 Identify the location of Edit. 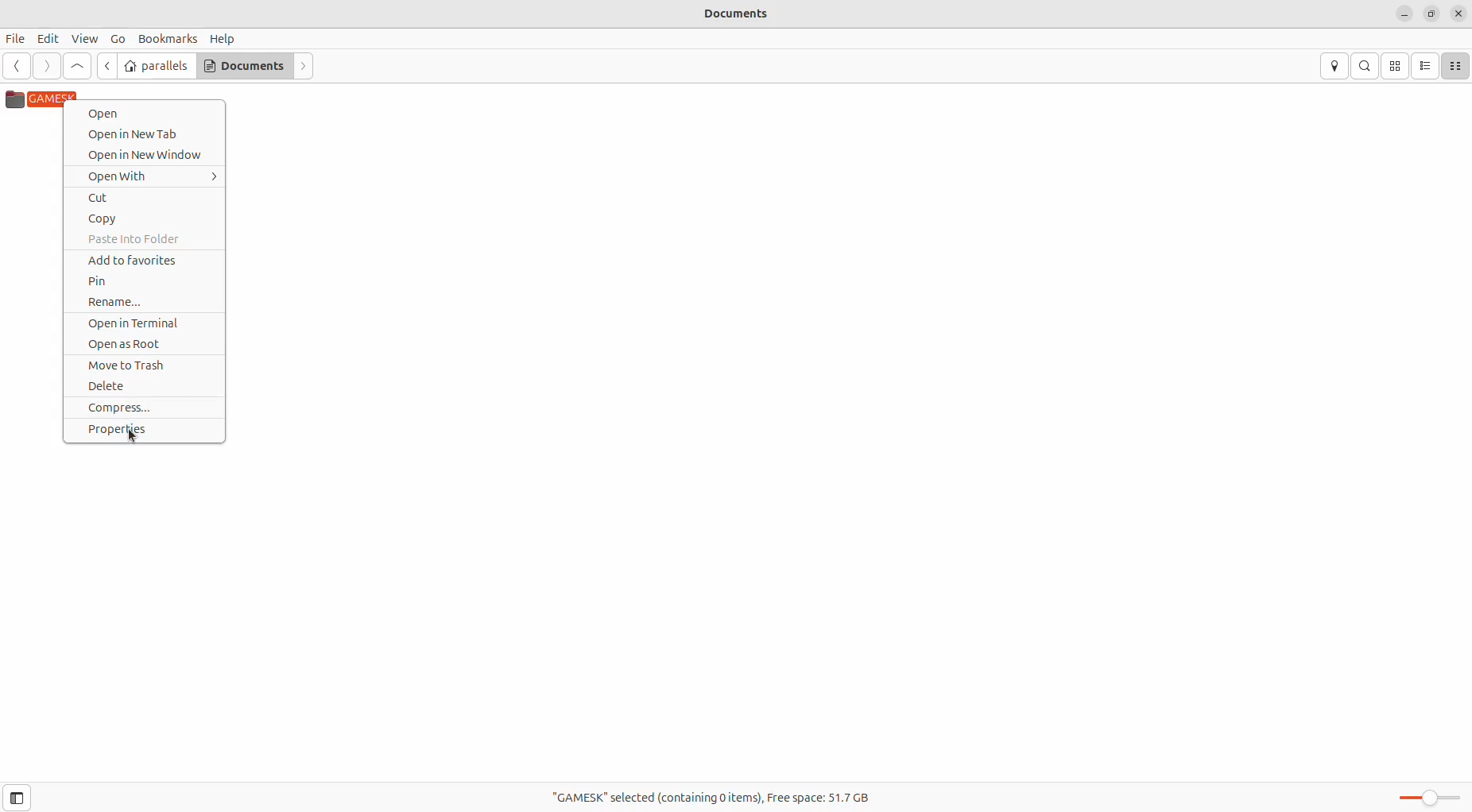
(48, 39).